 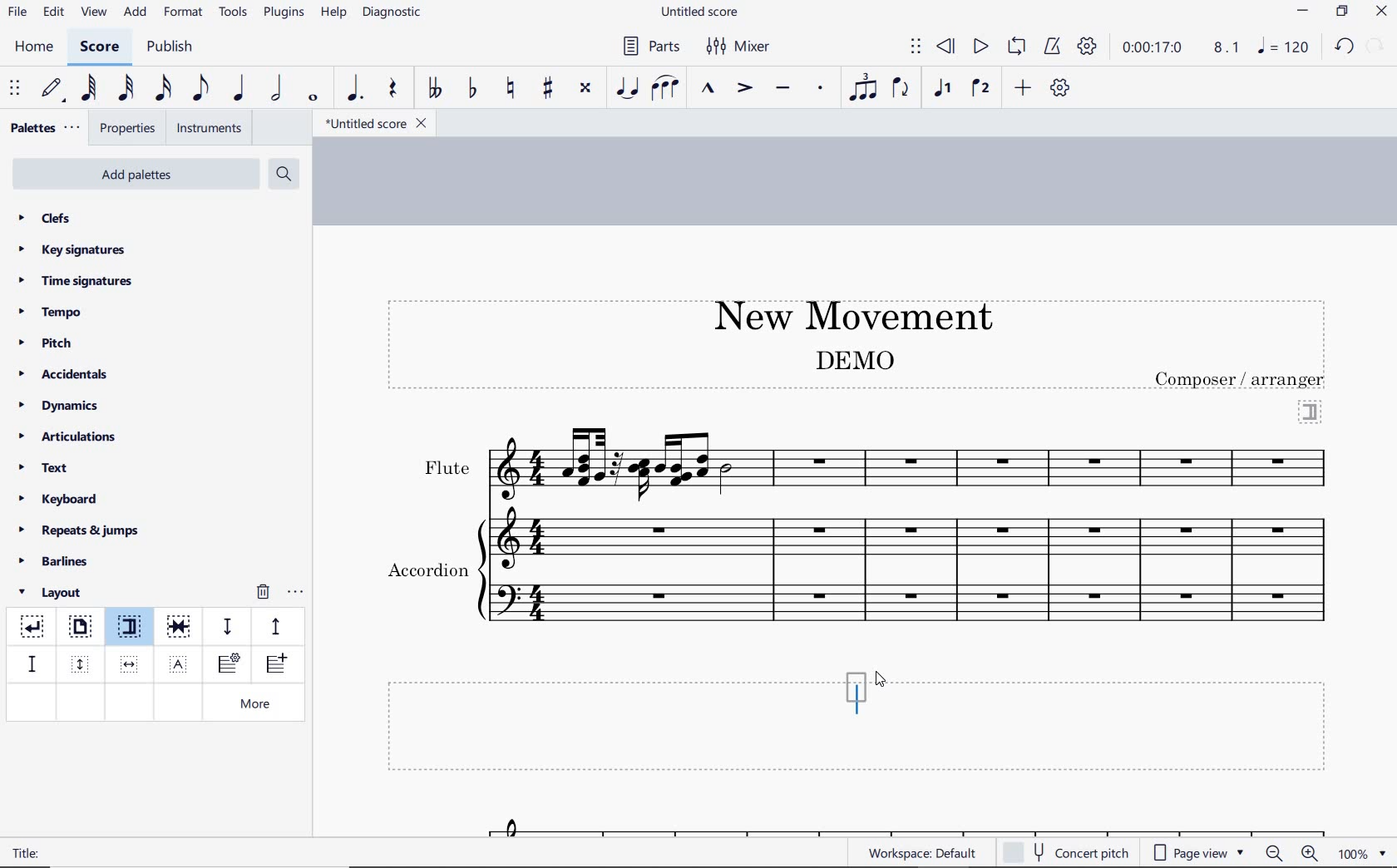 What do you see at coordinates (59, 499) in the screenshot?
I see `keyboard` at bounding box center [59, 499].